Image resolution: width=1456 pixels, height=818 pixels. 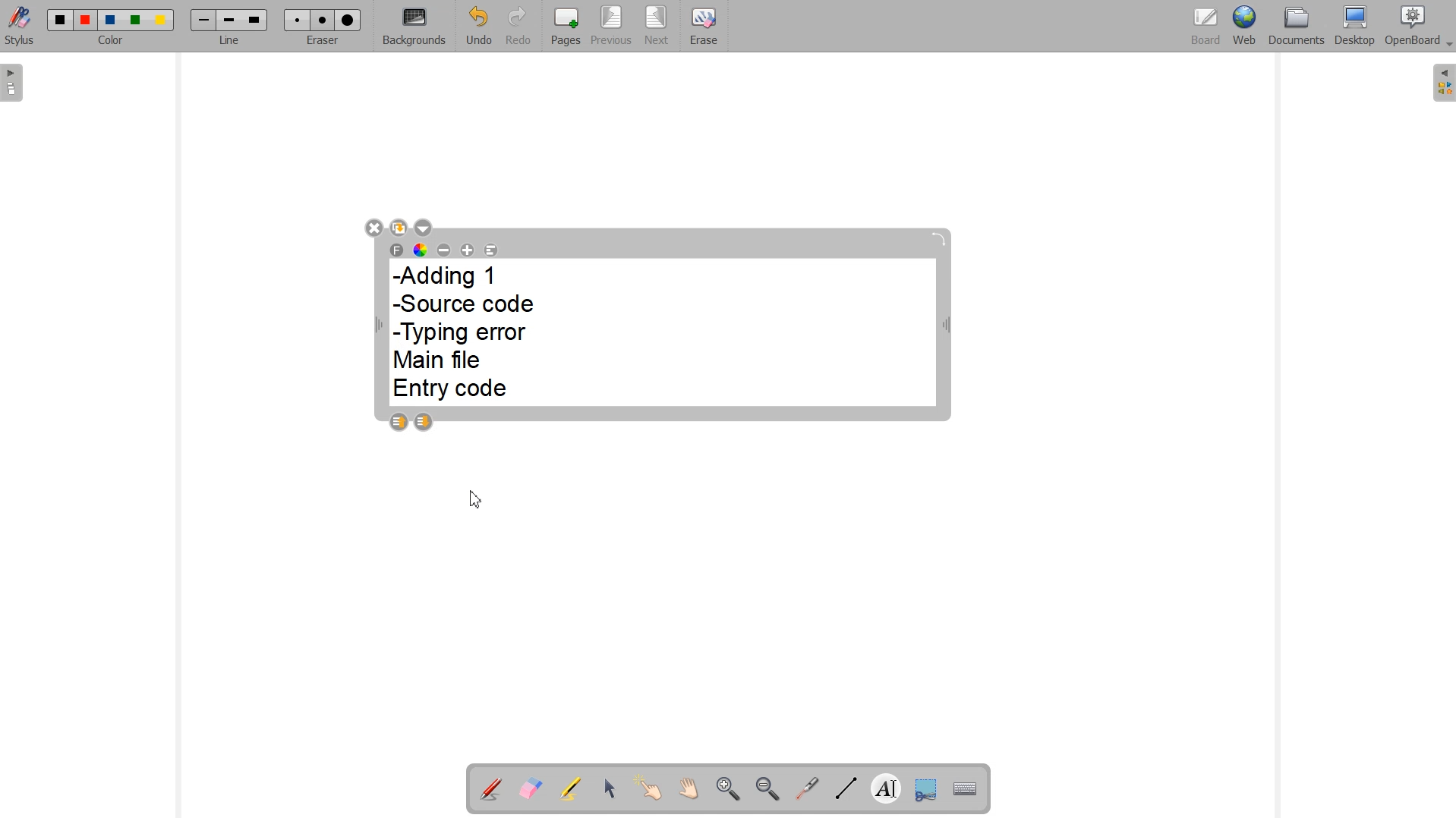 I want to click on Width adjustable, so click(x=947, y=328).